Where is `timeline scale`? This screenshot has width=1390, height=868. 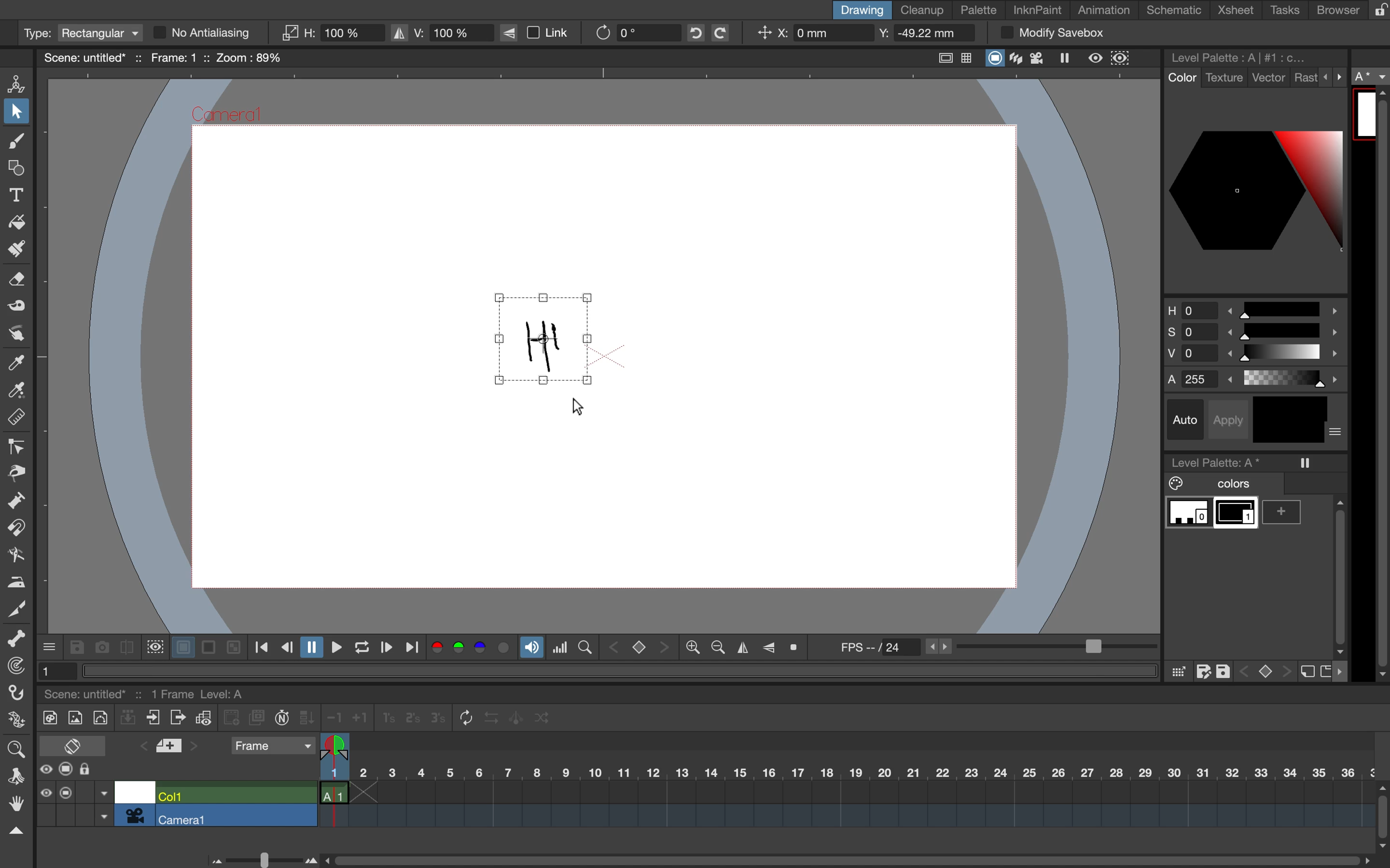 timeline scale is located at coordinates (845, 788).